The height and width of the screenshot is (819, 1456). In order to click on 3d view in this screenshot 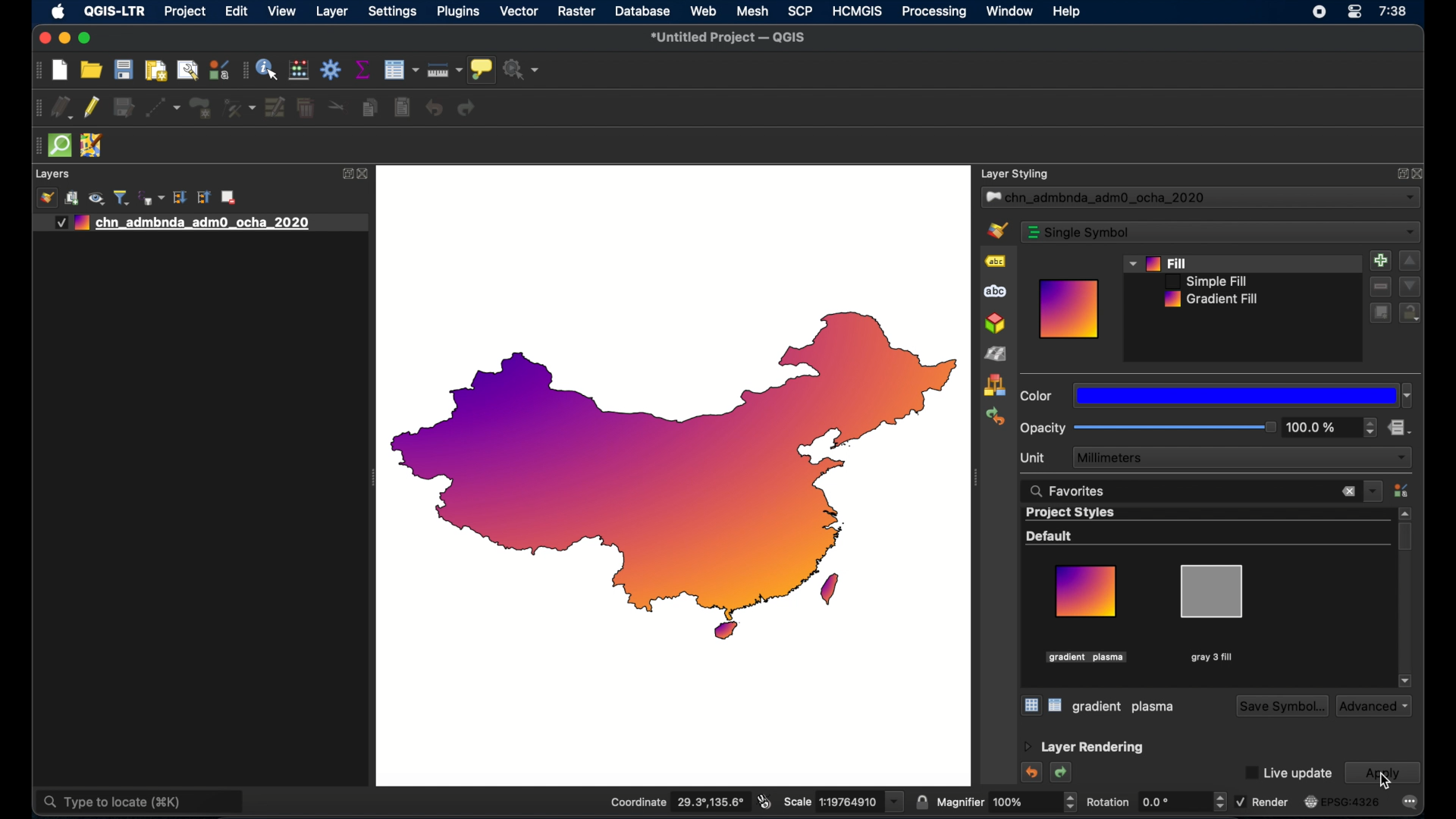, I will do `click(995, 324)`.